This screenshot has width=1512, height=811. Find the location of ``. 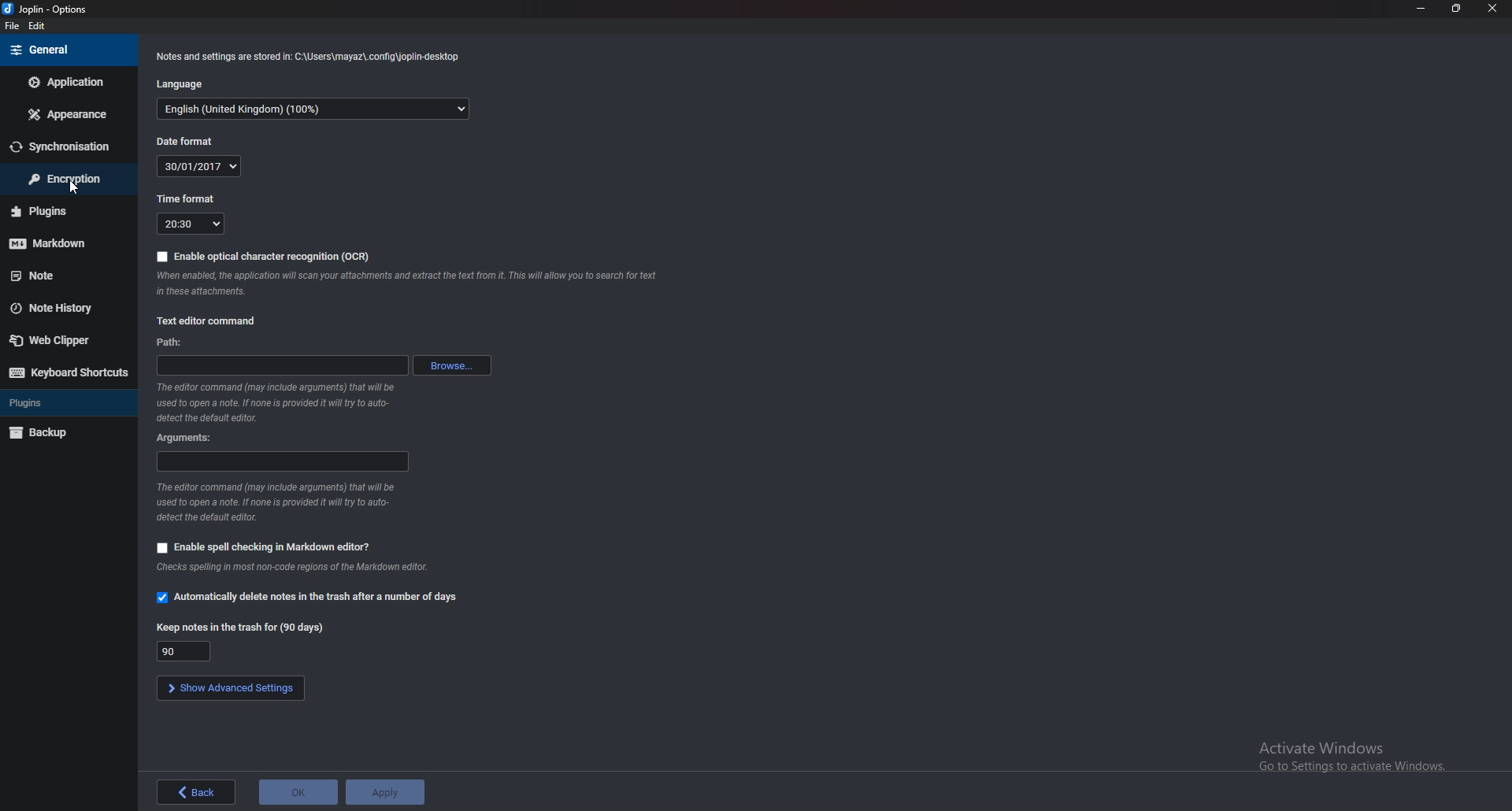

 is located at coordinates (273, 503).